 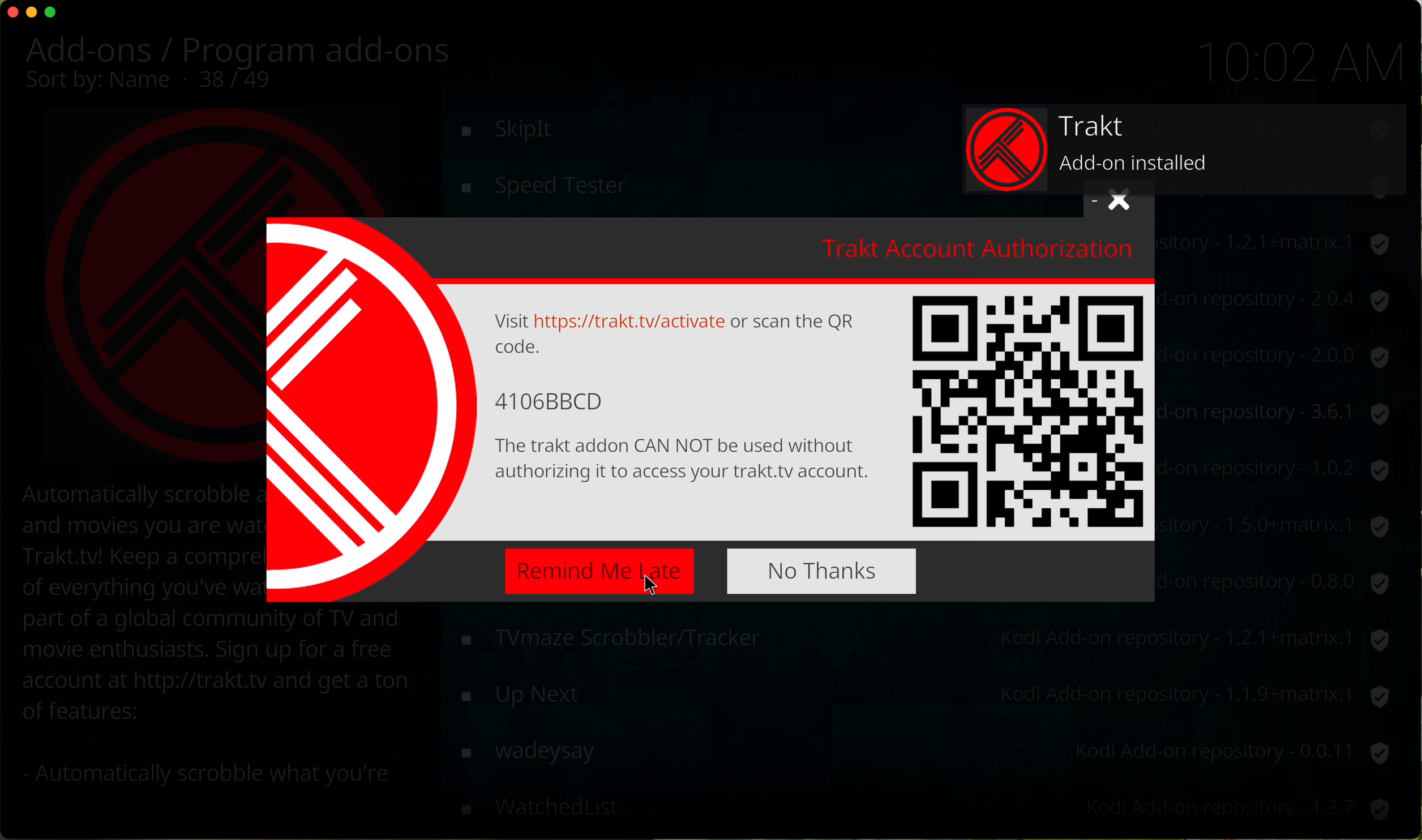 I want to click on QR, so click(x=1026, y=412).